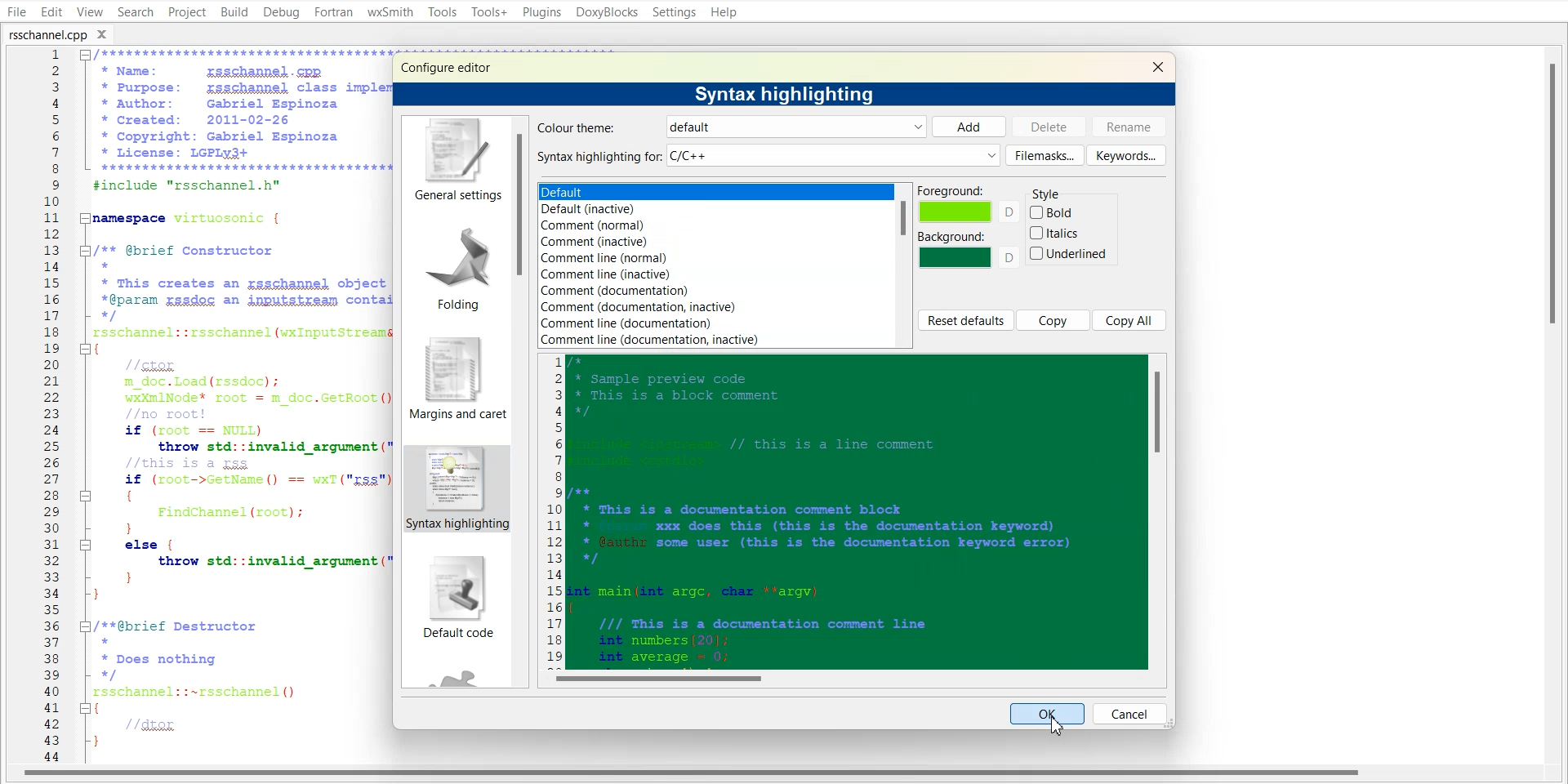 This screenshot has width=1568, height=784. What do you see at coordinates (1048, 713) in the screenshot?
I see `OK` at bounding box center [1048, 713].